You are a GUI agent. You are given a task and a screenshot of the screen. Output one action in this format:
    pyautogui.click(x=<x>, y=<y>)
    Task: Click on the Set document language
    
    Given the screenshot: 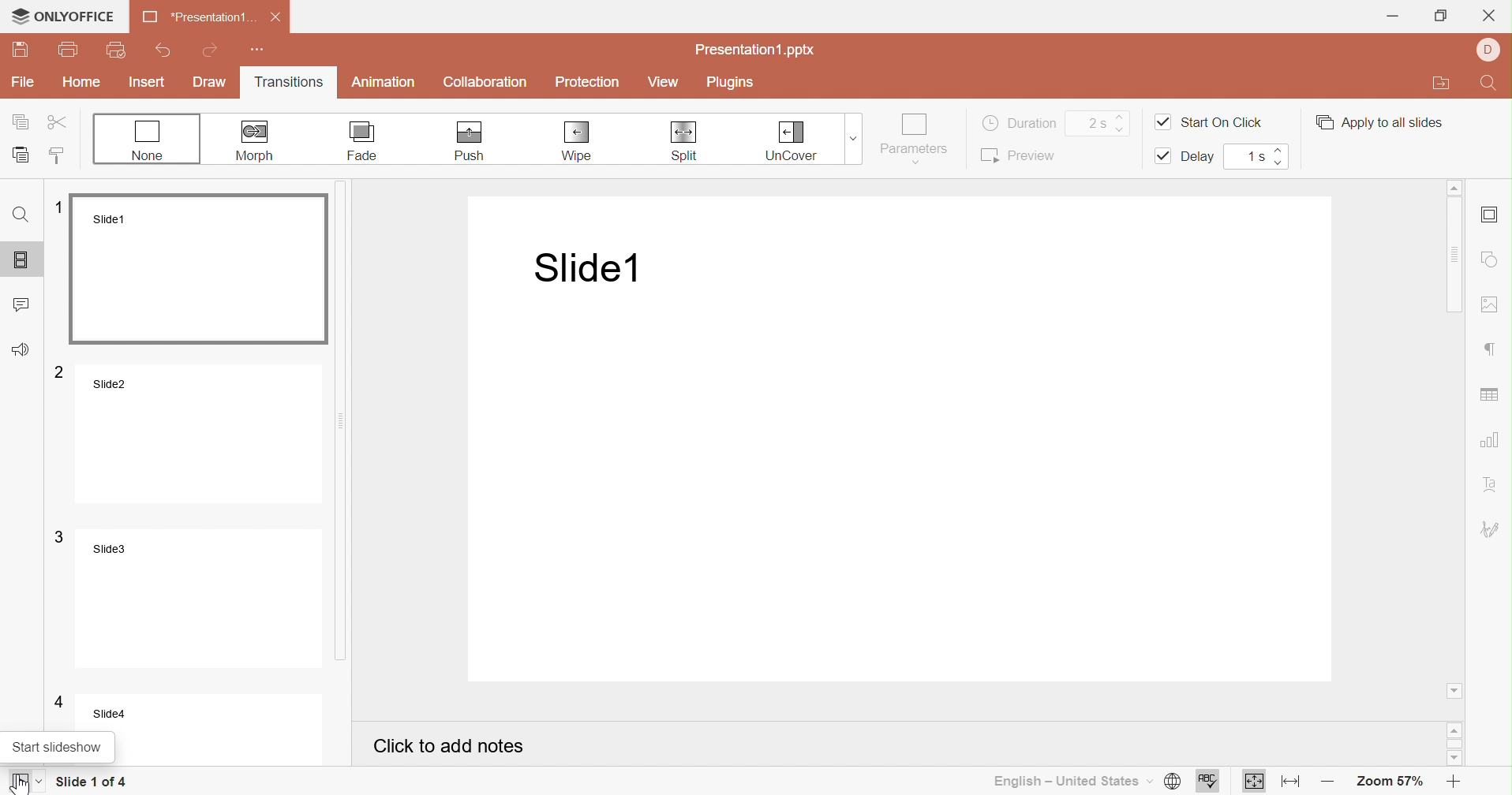 What is the action you would take?
    pyautogui.click(x=1175, y=783)
    